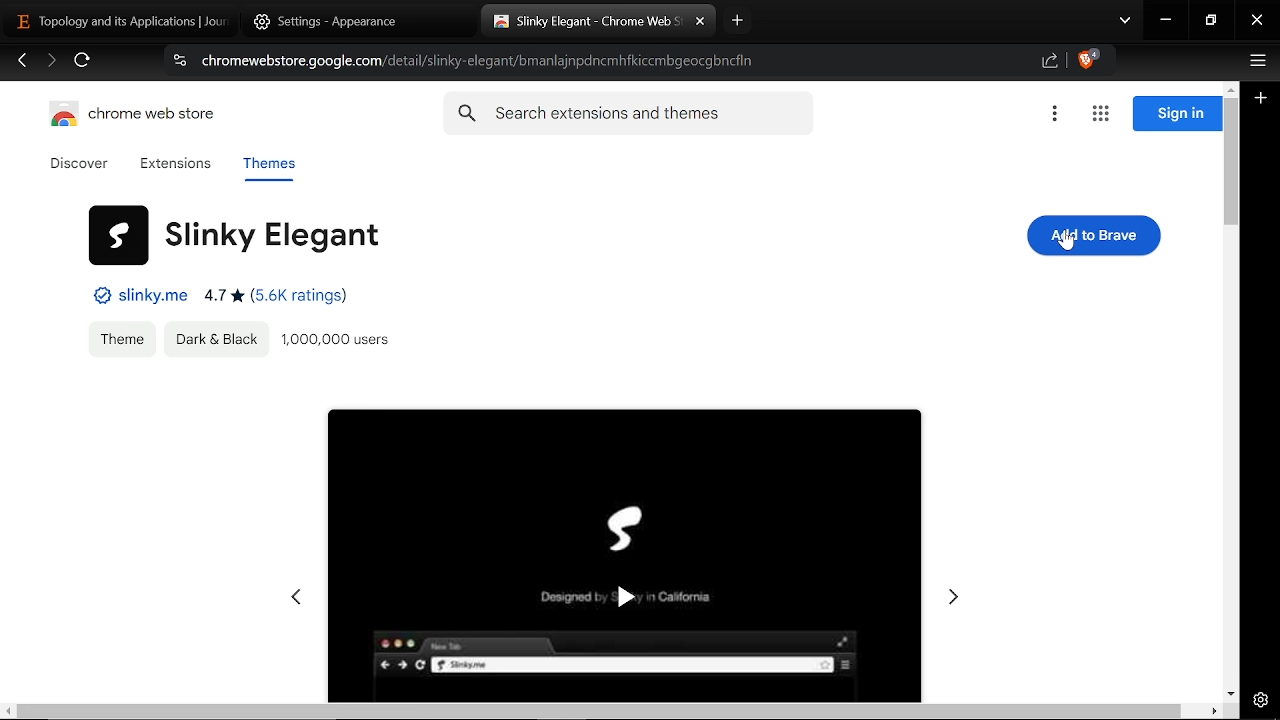  Describe the element at coordinates (1261, 699) in the screenshot. I see `Settings` at that location.